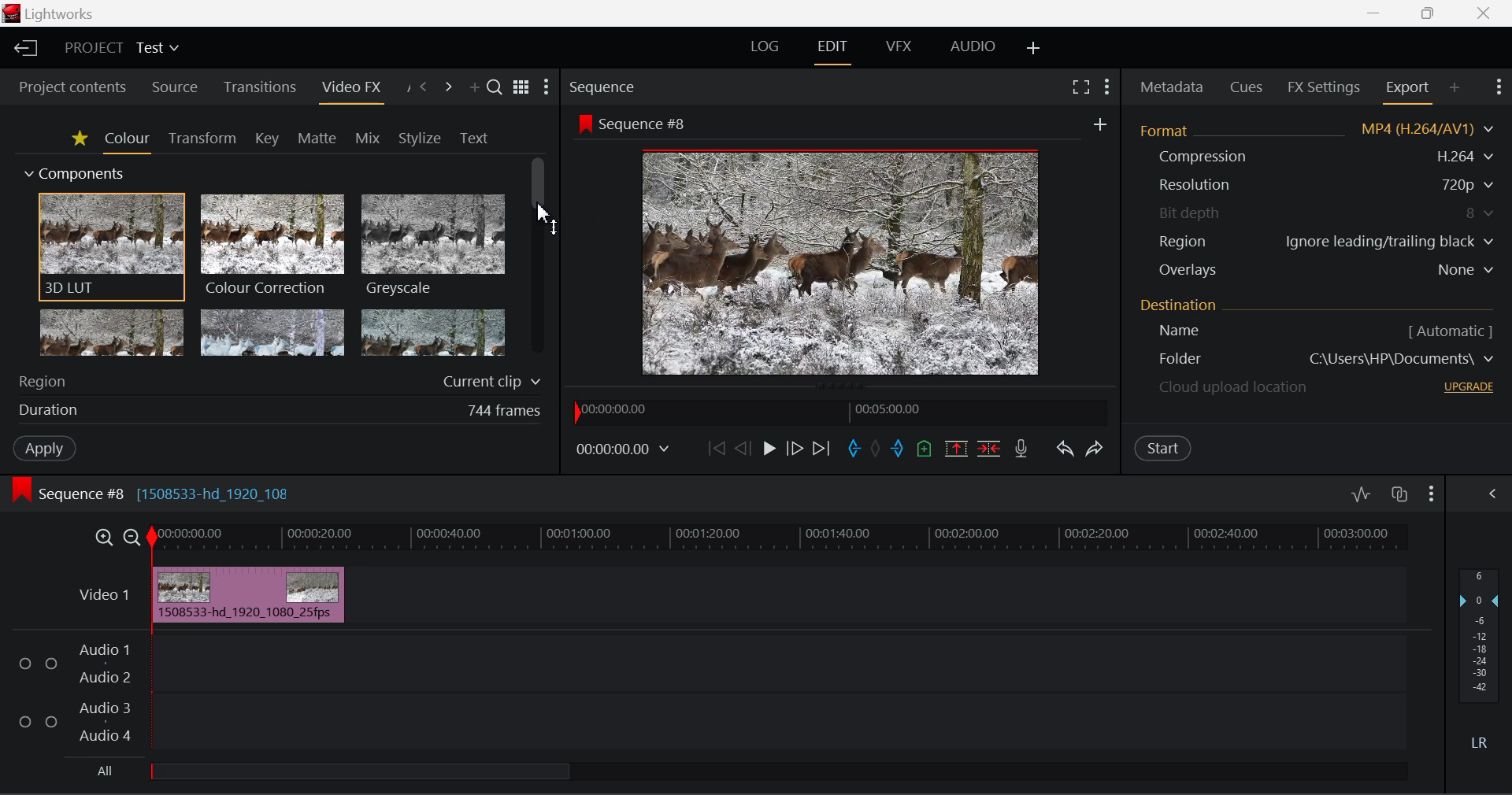 This screenshot has width=1512, height=795. What do you see at coordinates (176, 90) in the screenshot?
I see `Source` at bounding box center [176, 90].